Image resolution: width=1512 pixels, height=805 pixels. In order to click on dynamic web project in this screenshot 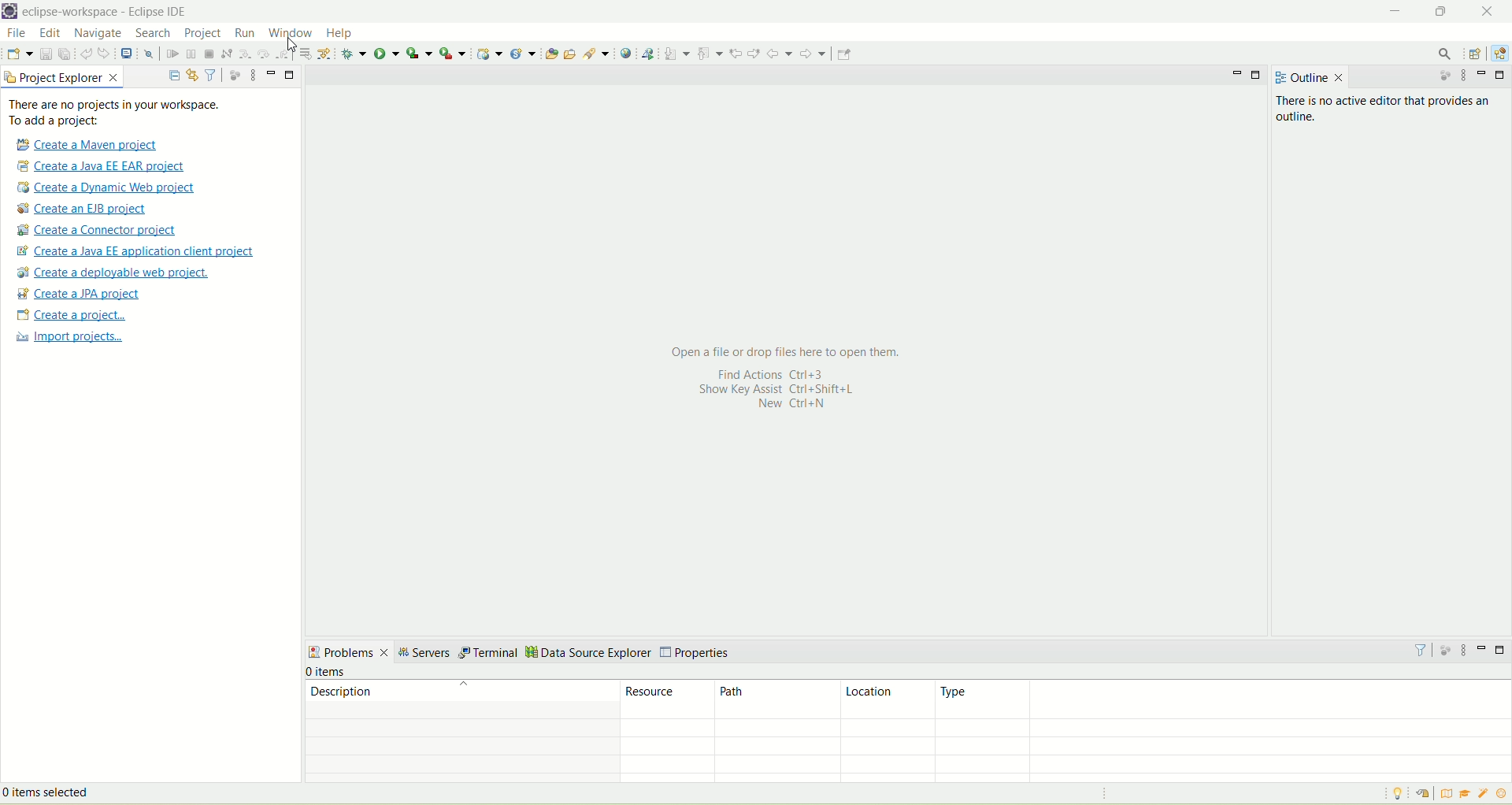, I will do `click(491, 54)`.